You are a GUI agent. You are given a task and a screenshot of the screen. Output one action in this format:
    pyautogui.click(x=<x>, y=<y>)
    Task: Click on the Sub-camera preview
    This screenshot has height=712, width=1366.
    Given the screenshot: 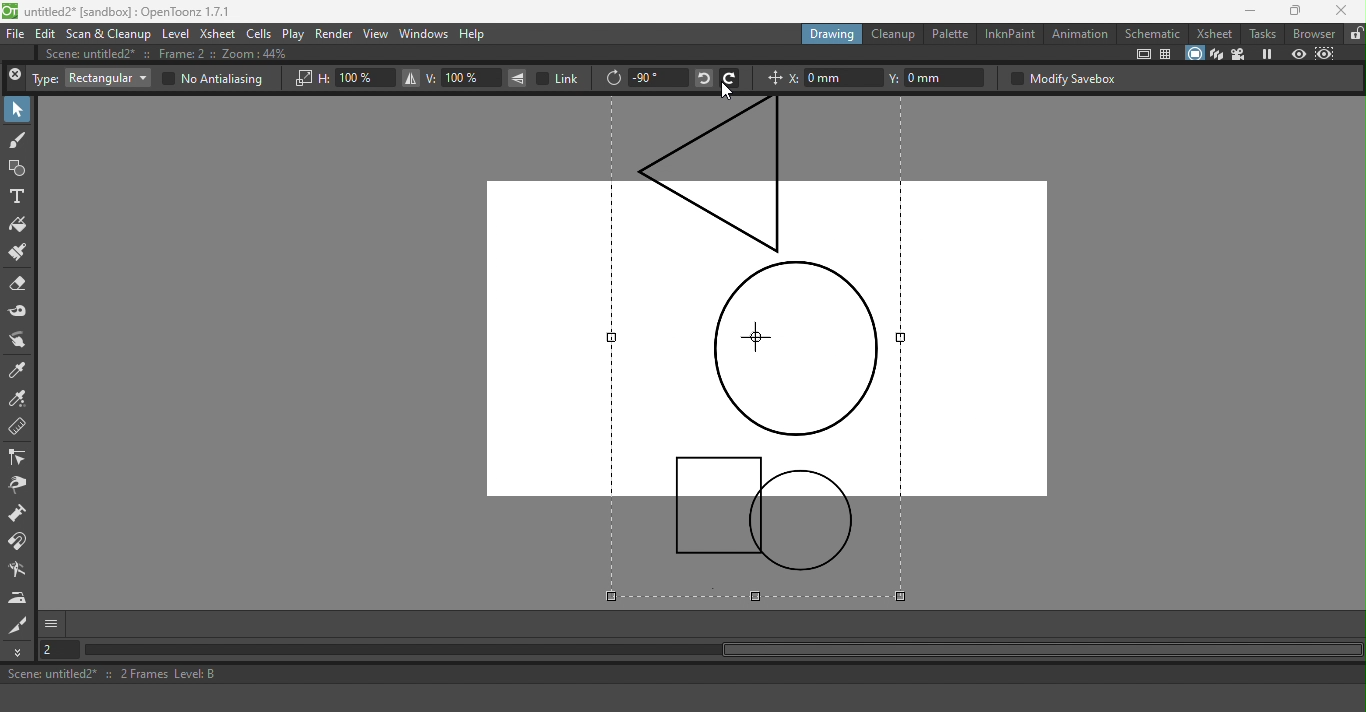 What is the action you would take?
    pyautogui.click(x=1325, y=53)
    